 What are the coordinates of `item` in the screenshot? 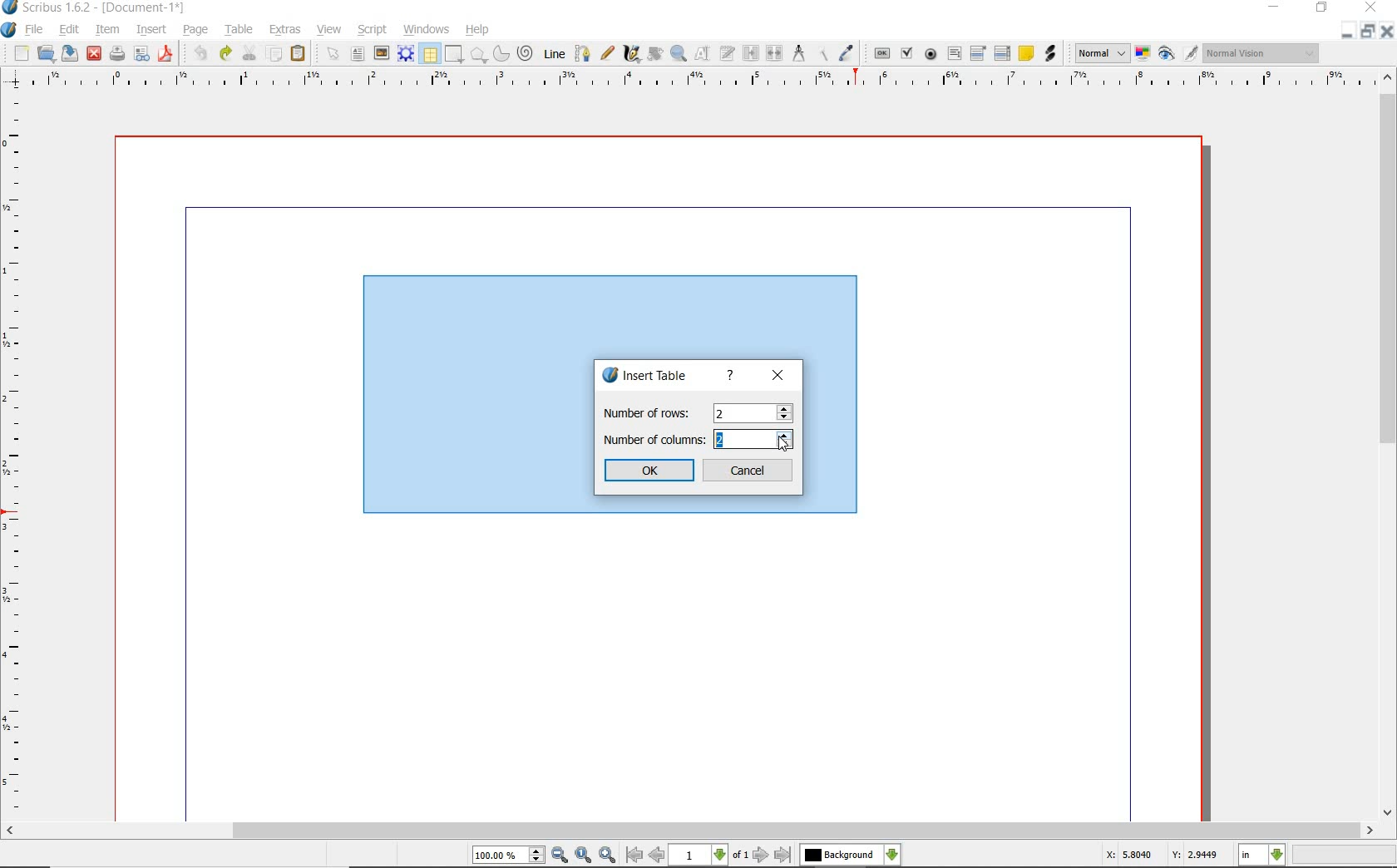 It's located at (106, 30).